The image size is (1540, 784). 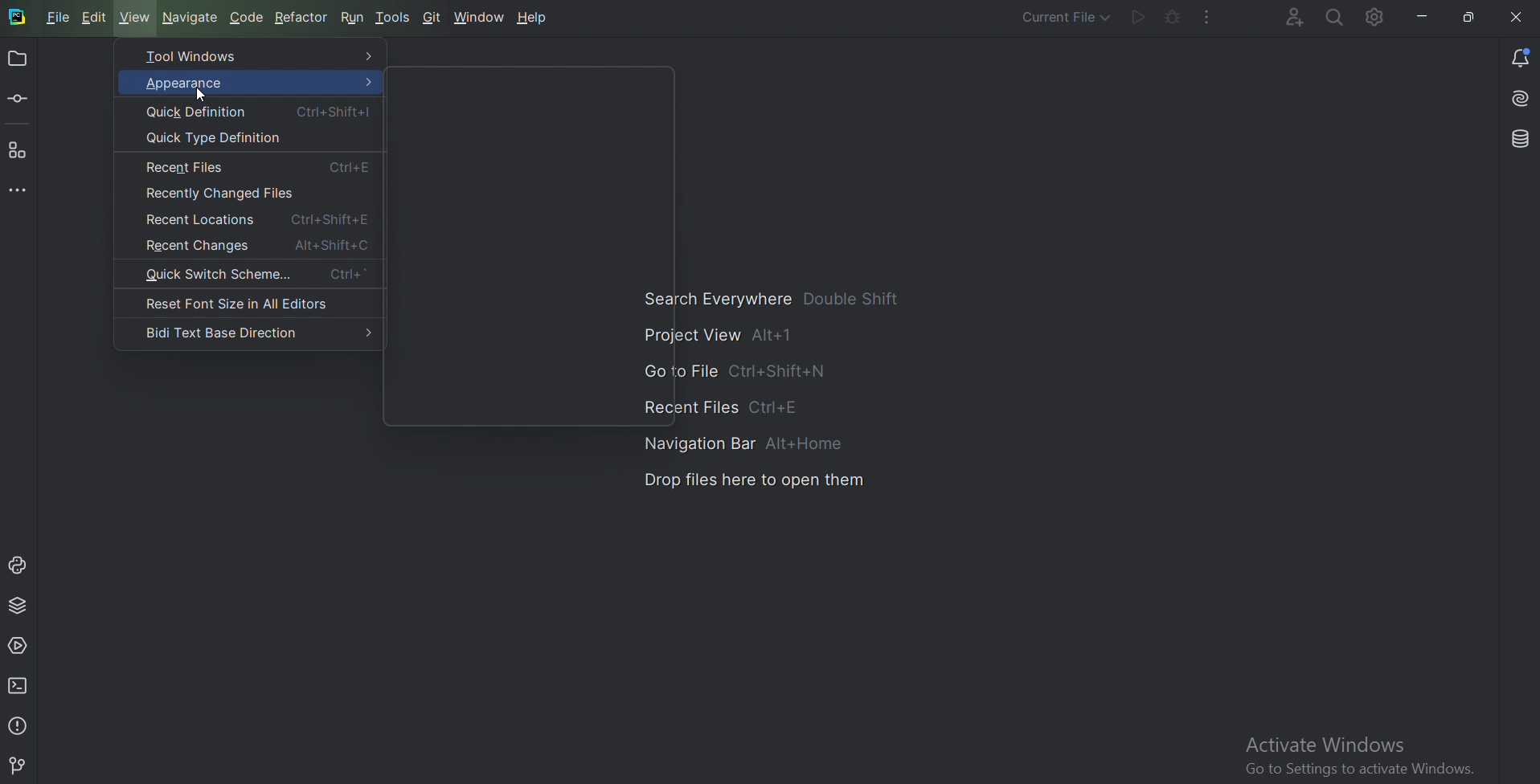 What do you see at coordinates (1137, 18) in the screenshot?
I see `Run` at bounding box center [1137, 18].